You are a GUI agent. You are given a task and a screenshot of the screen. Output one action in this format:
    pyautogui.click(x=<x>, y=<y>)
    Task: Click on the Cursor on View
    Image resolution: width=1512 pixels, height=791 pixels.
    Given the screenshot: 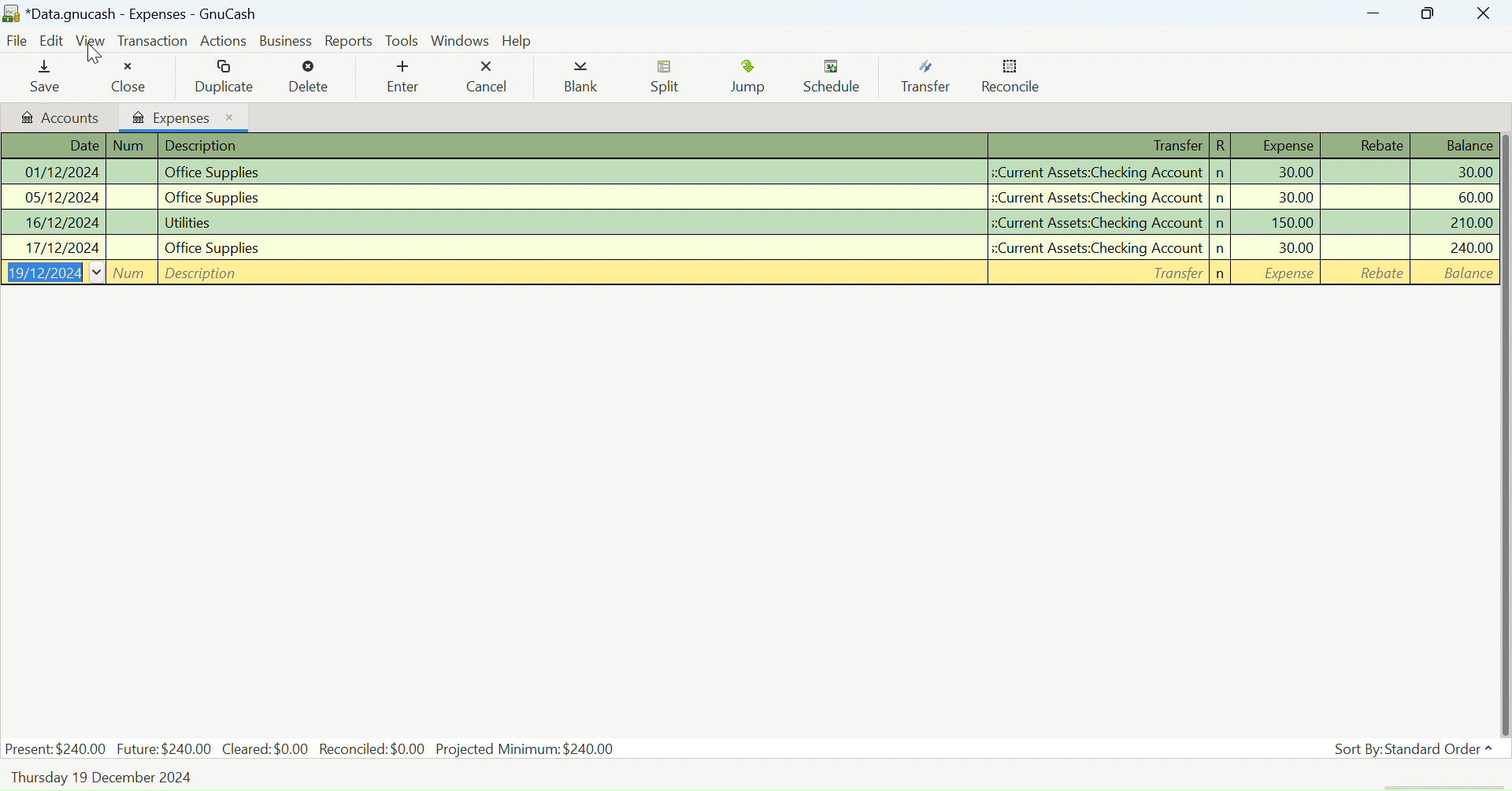 What is the action you would take?
    pyautogui.click(x=94, y=57)
    